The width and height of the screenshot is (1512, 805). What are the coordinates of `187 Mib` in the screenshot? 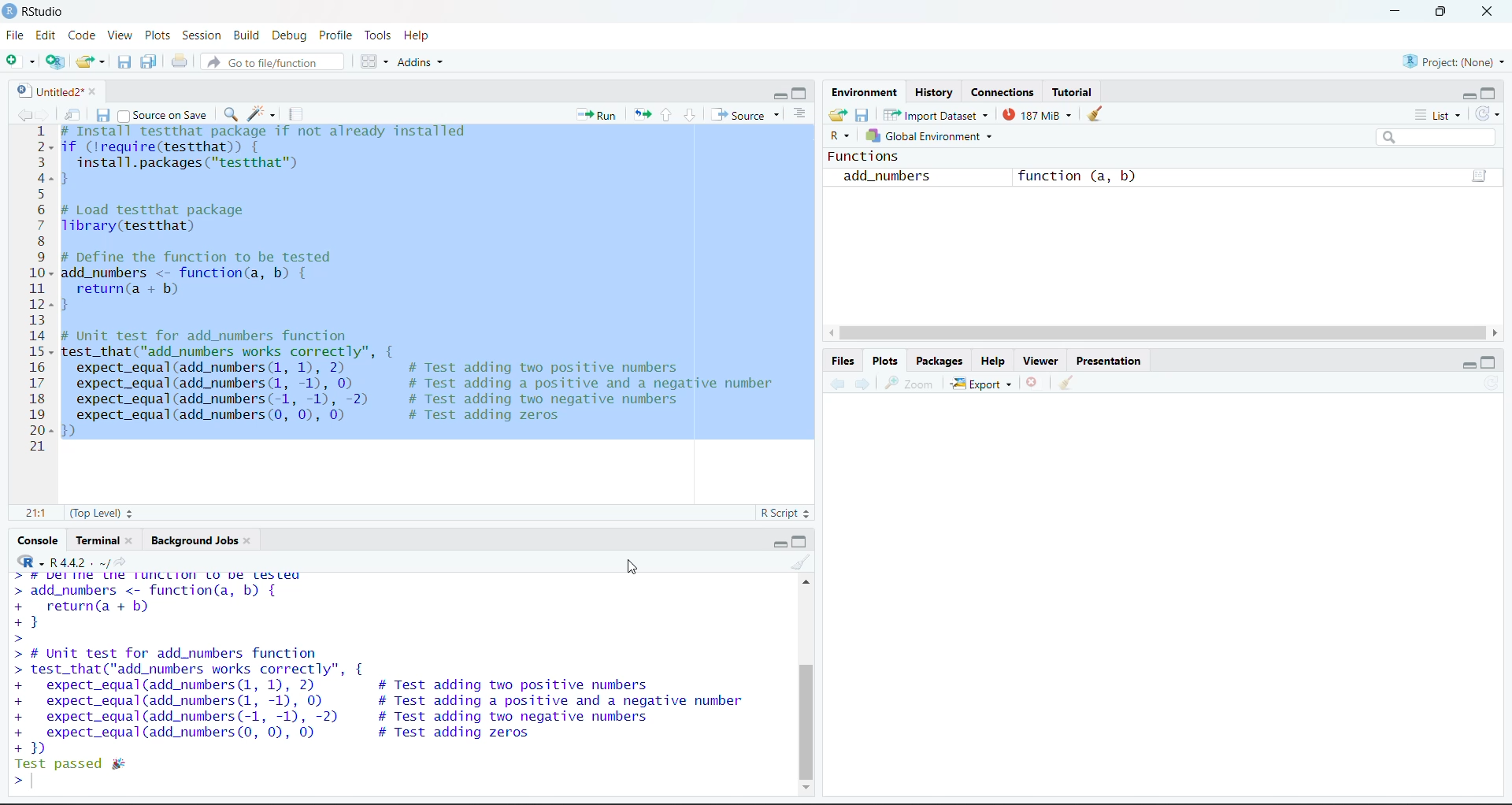 It's located at (1038, 115).